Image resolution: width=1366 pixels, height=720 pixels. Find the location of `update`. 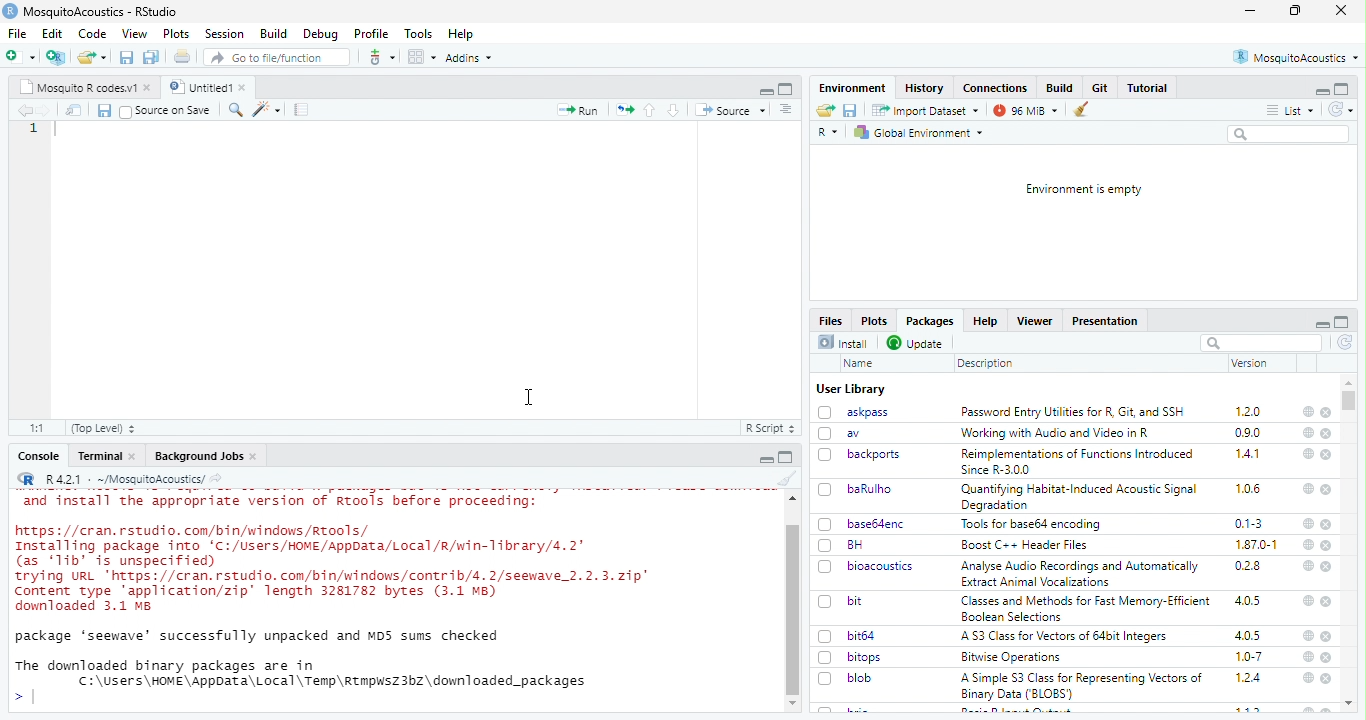

update is located at coordinates (917, 344).